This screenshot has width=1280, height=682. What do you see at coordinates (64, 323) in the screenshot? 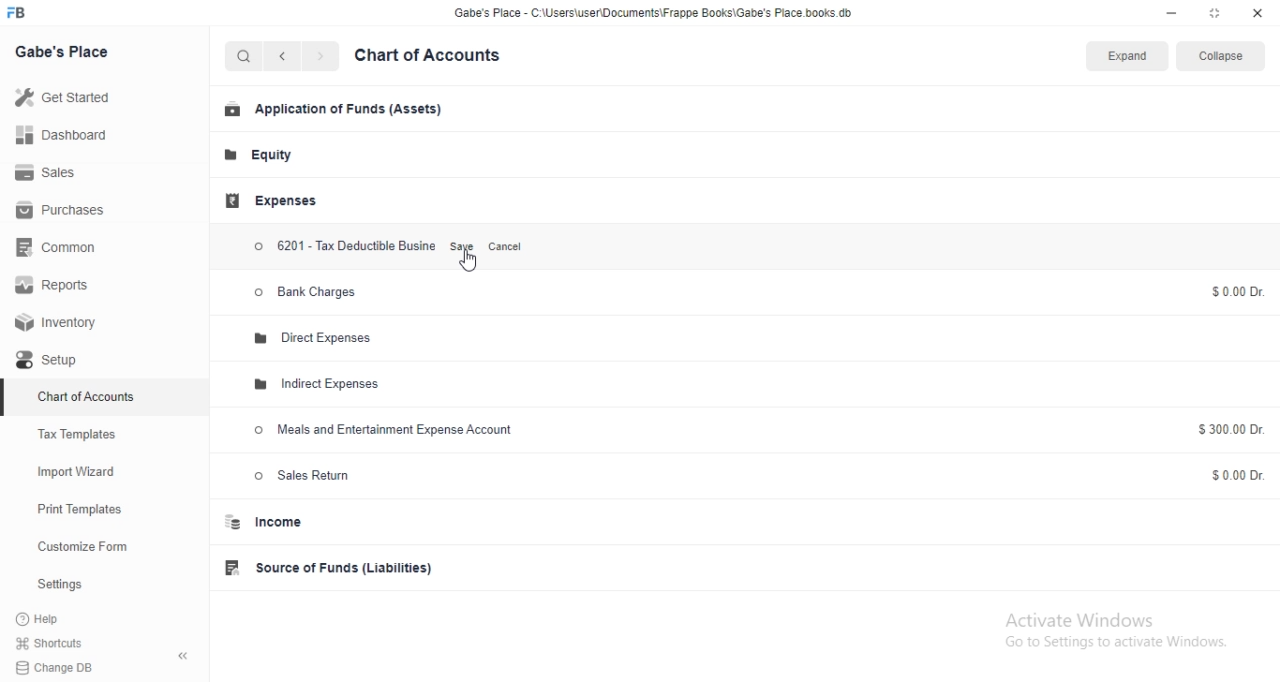
I see `Inventory` at bounding box center [64, 323].